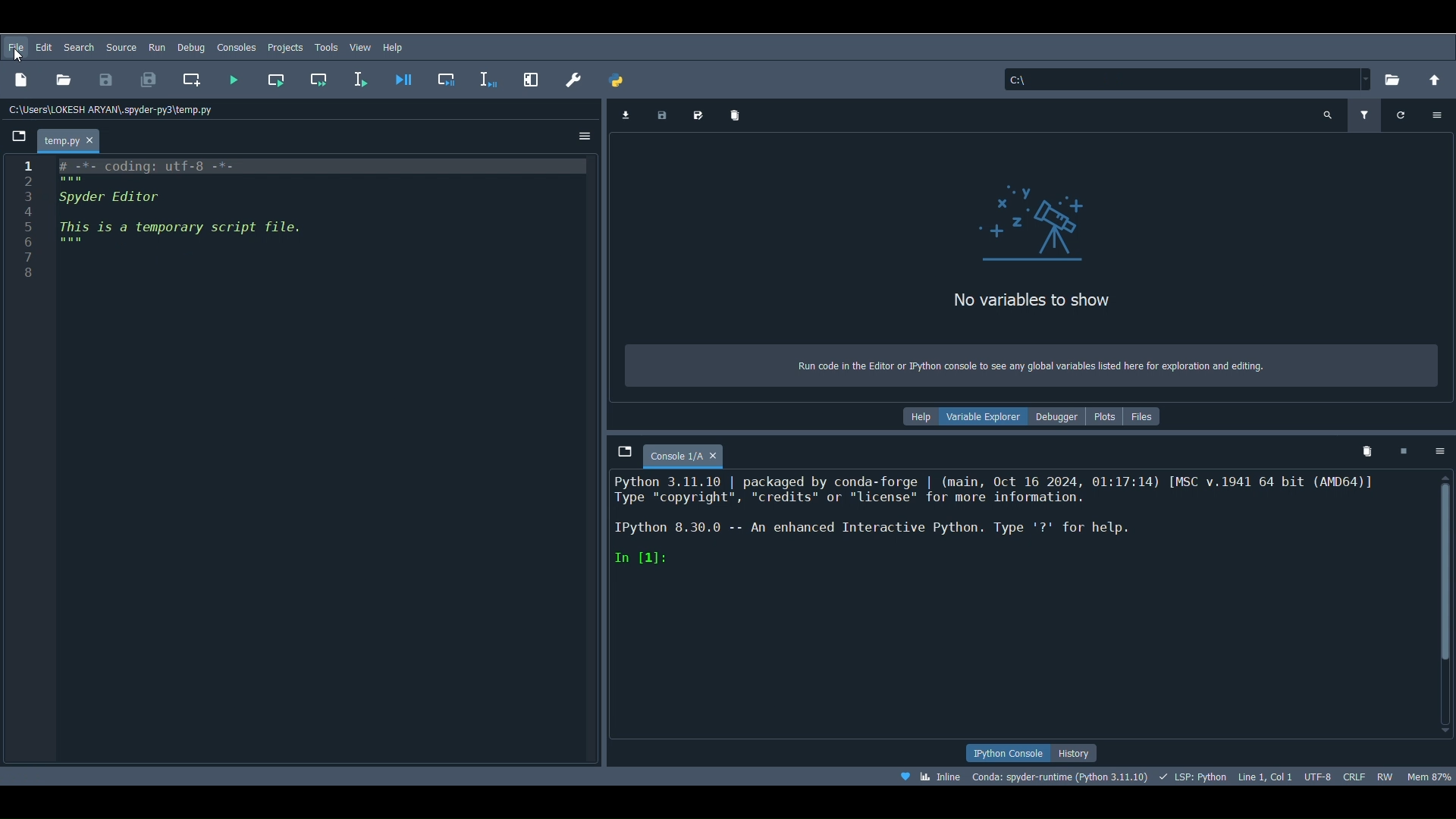 Image resolution: width=1456 pixels, height=819 pixels. What do you see at coordinates (618, 79) in the screenshot?
I see `PYTHONPATH manager` at bounding box center [618, 79].